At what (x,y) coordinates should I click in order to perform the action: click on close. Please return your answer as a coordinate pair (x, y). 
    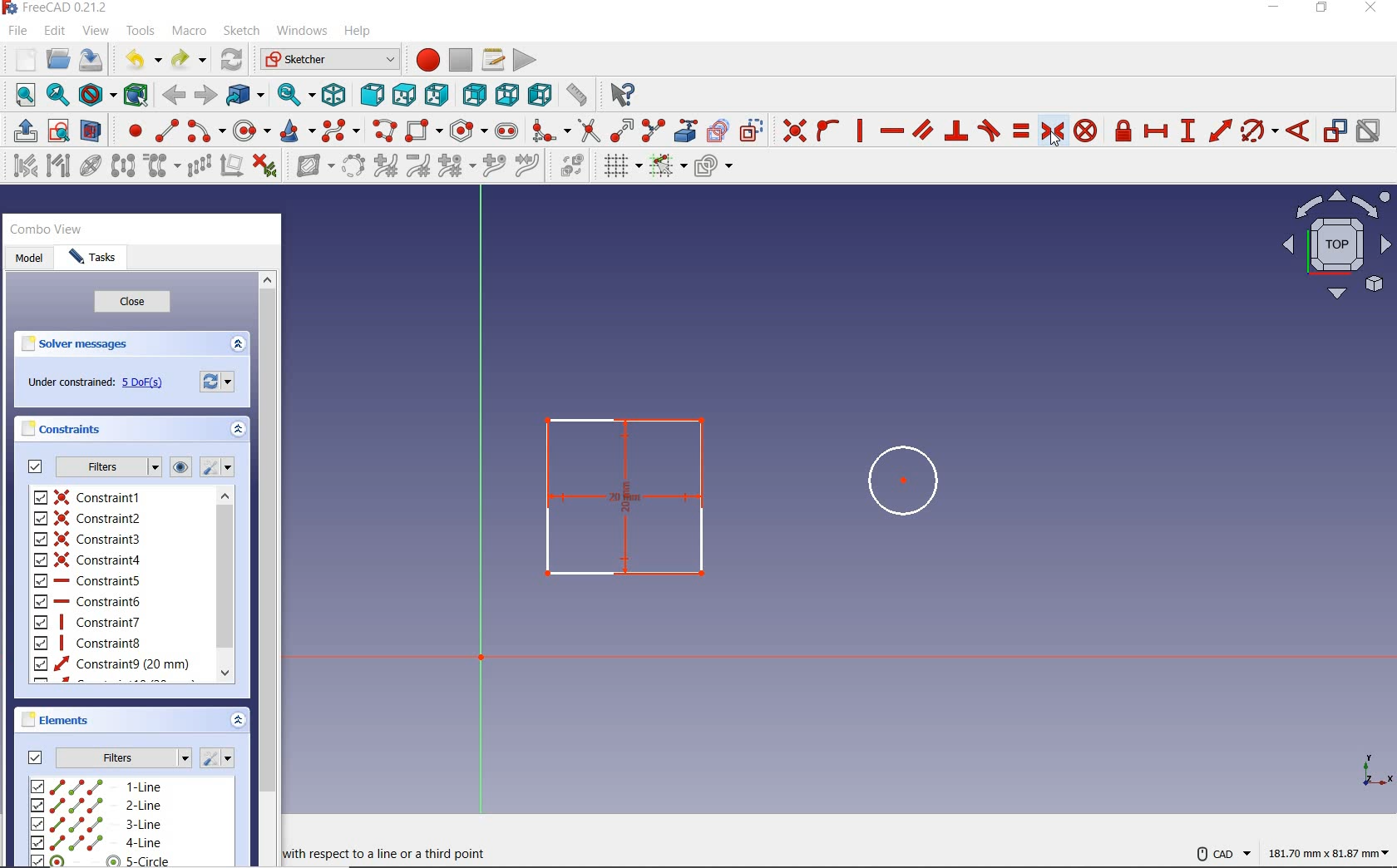
    Looking at the image, I should click on (131, 303).